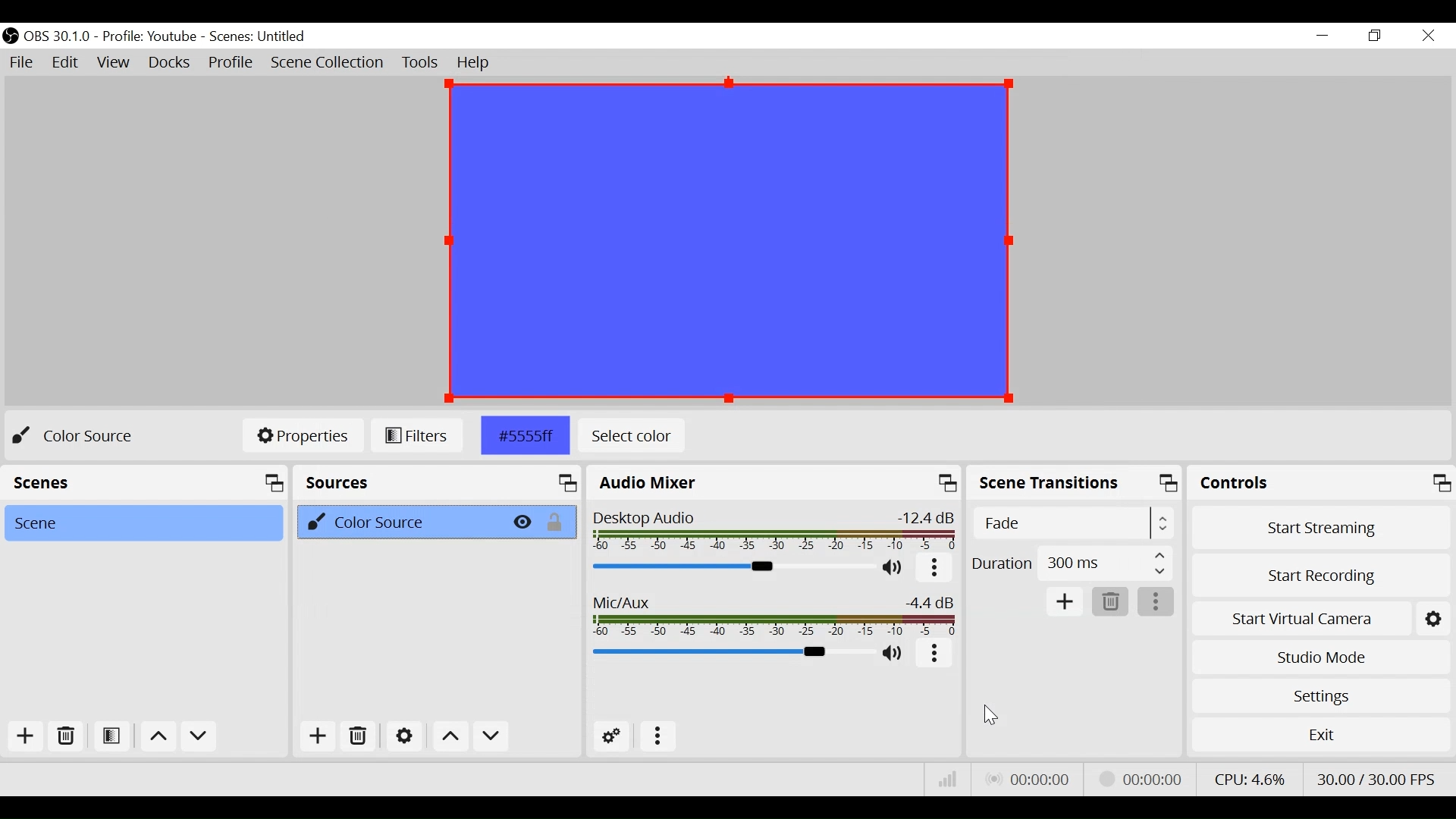 The width and height of the screenshot is (1456, 819). Describe the element at coordinates (201, 737) in the screenshot. I see `move down` at that location.